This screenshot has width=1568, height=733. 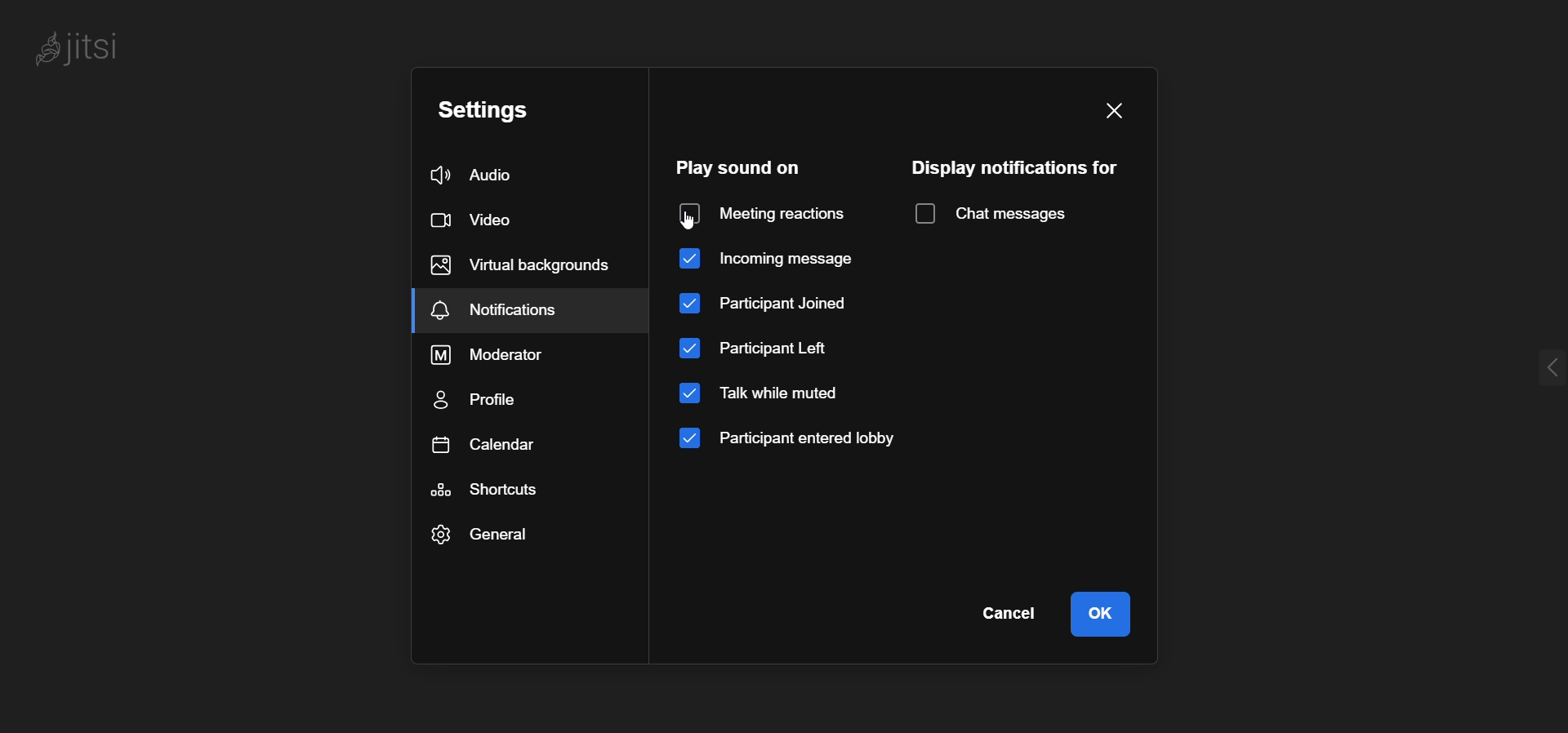 I want to click on cancel, so click(x=1014, y=609).